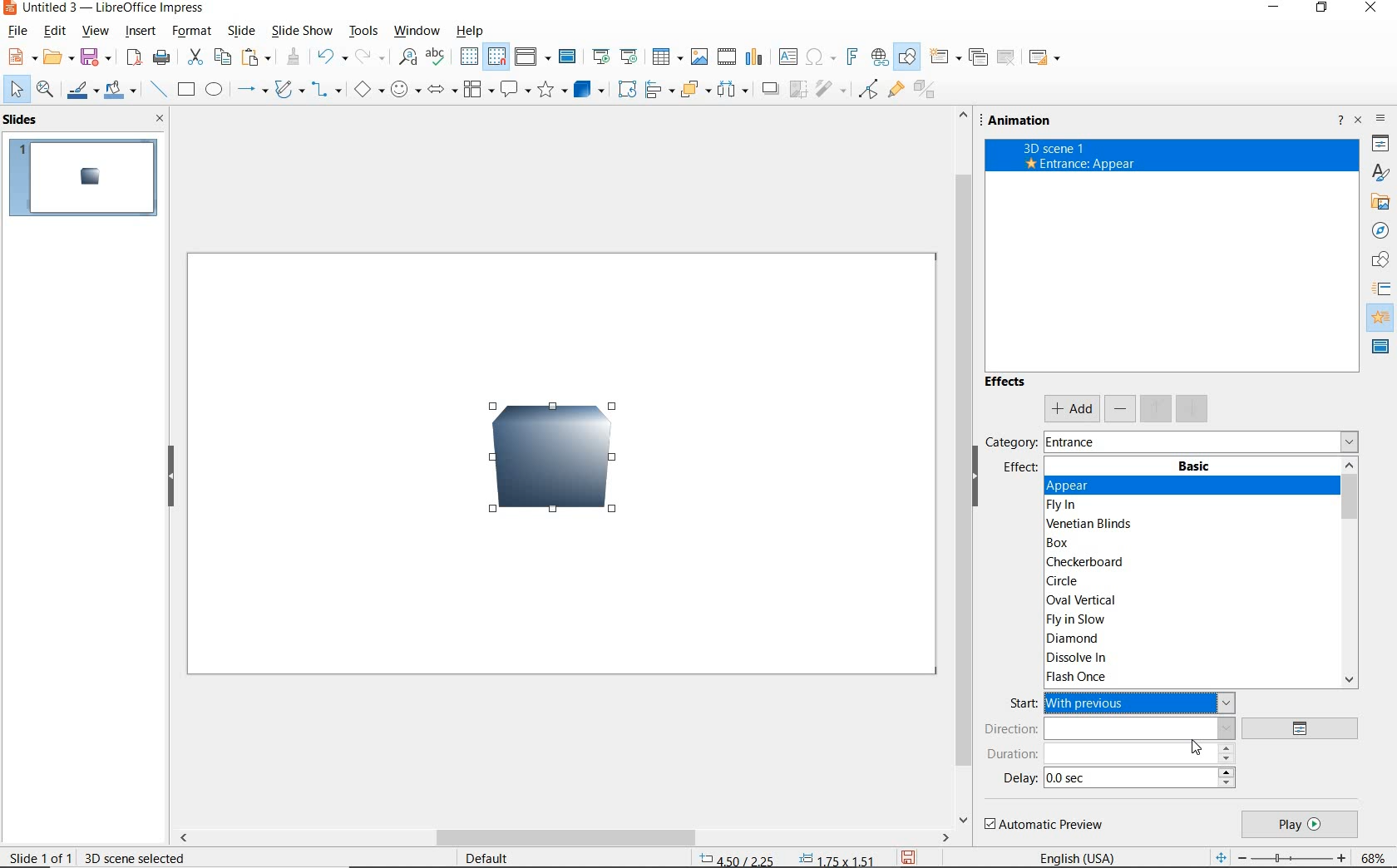 This screenshot has width=1397, height=868. I want to click on slide show, so click(303, 32).